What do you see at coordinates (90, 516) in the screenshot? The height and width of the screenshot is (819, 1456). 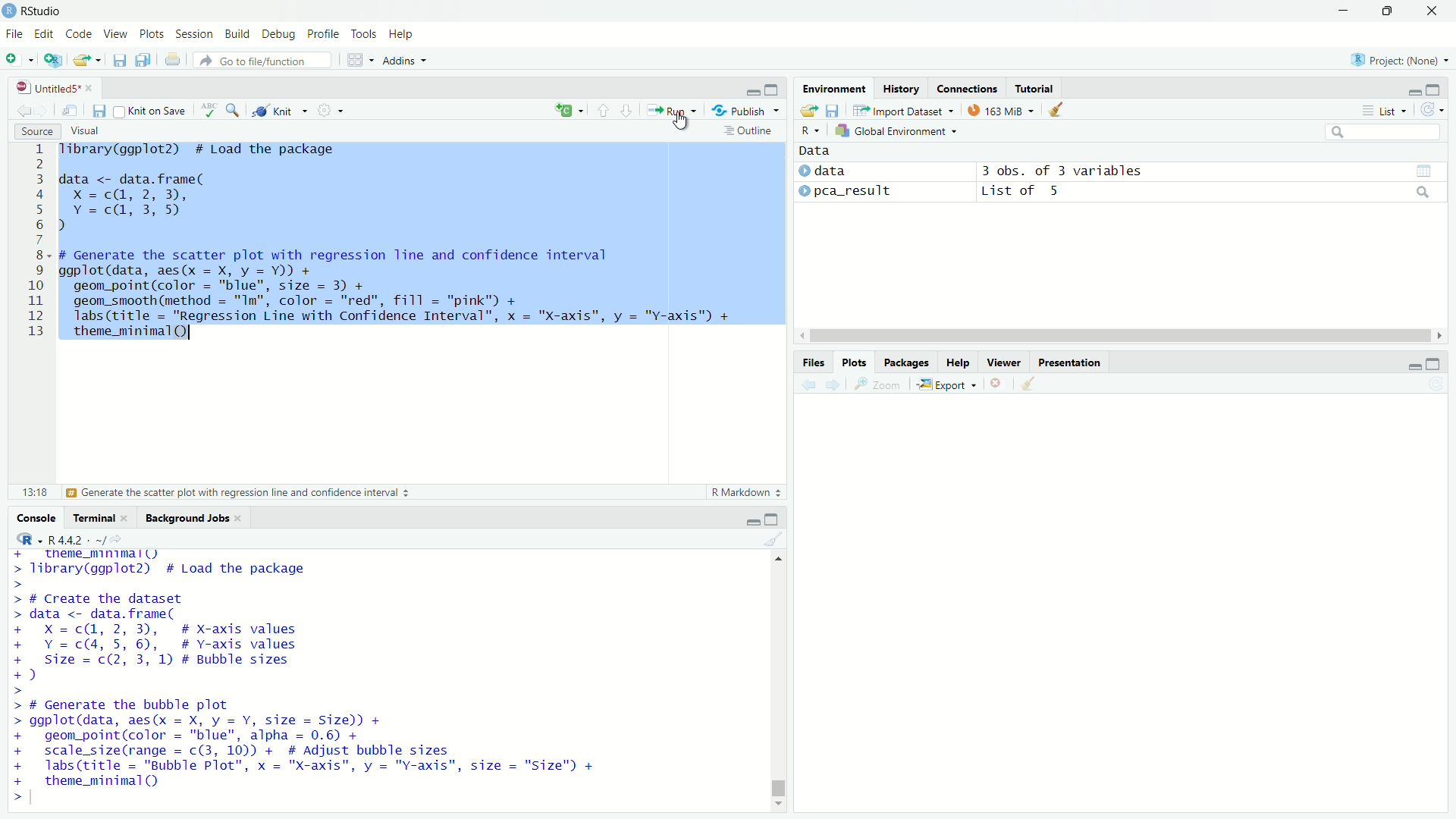 I see `Terminal` at bounding box center [90, 516].